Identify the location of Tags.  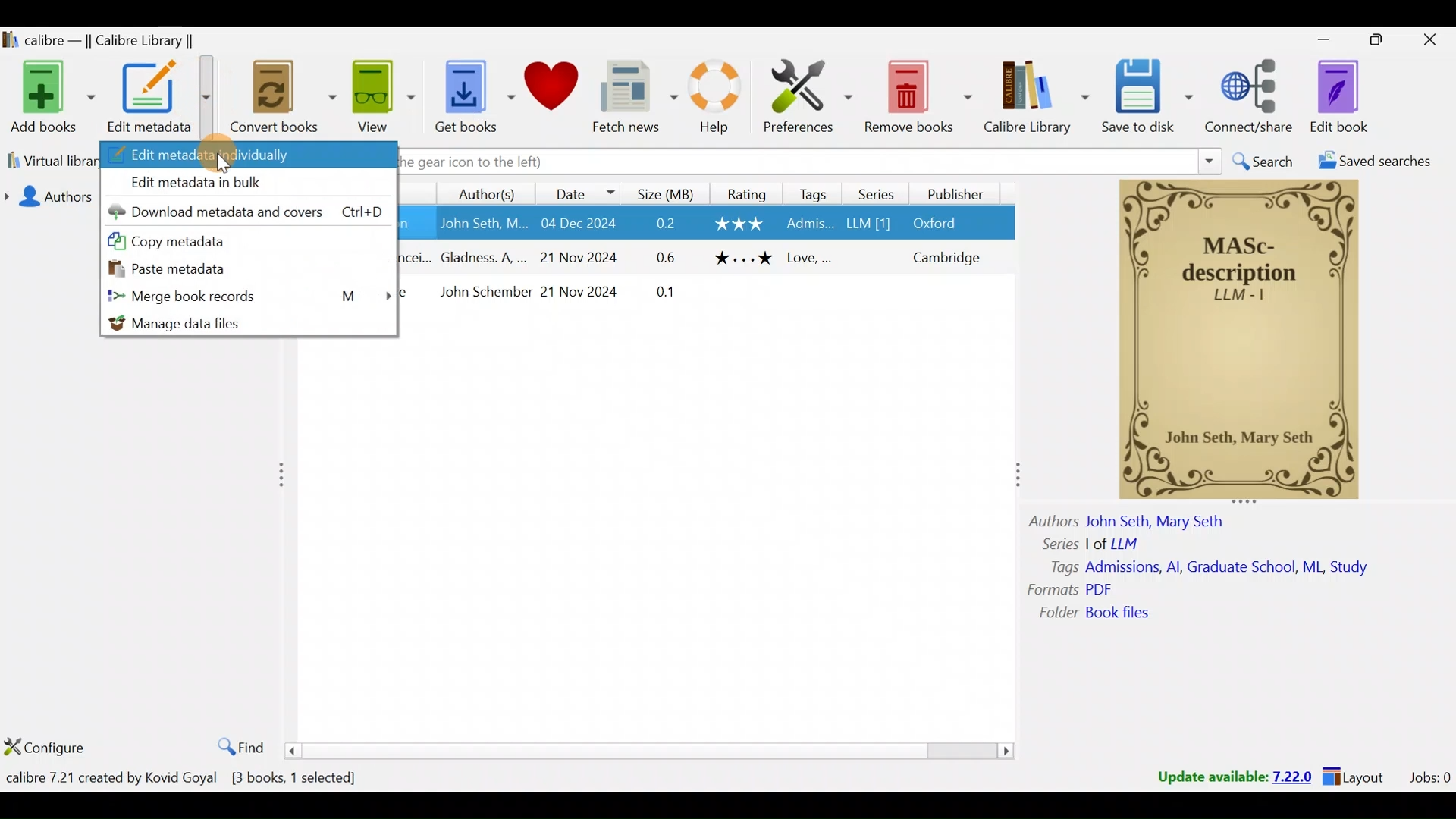
(812, 193).